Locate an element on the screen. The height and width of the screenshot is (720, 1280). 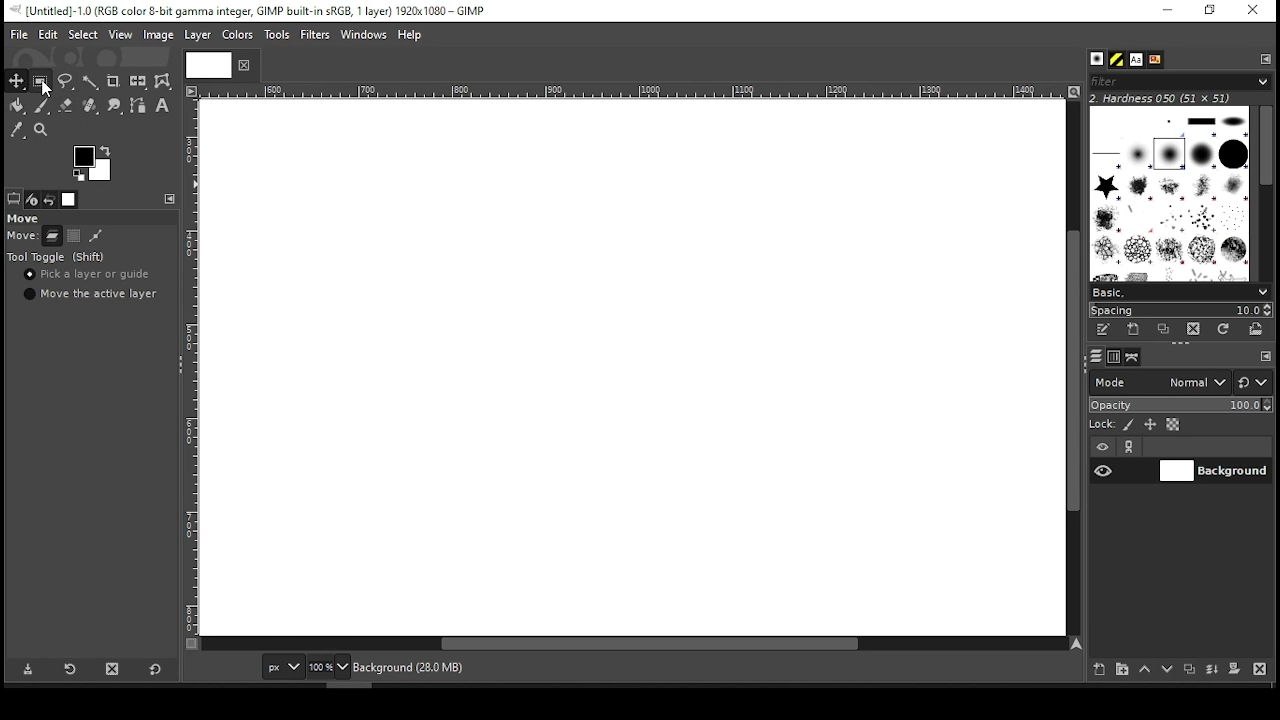
layers is located at coordinates (1095, 357).